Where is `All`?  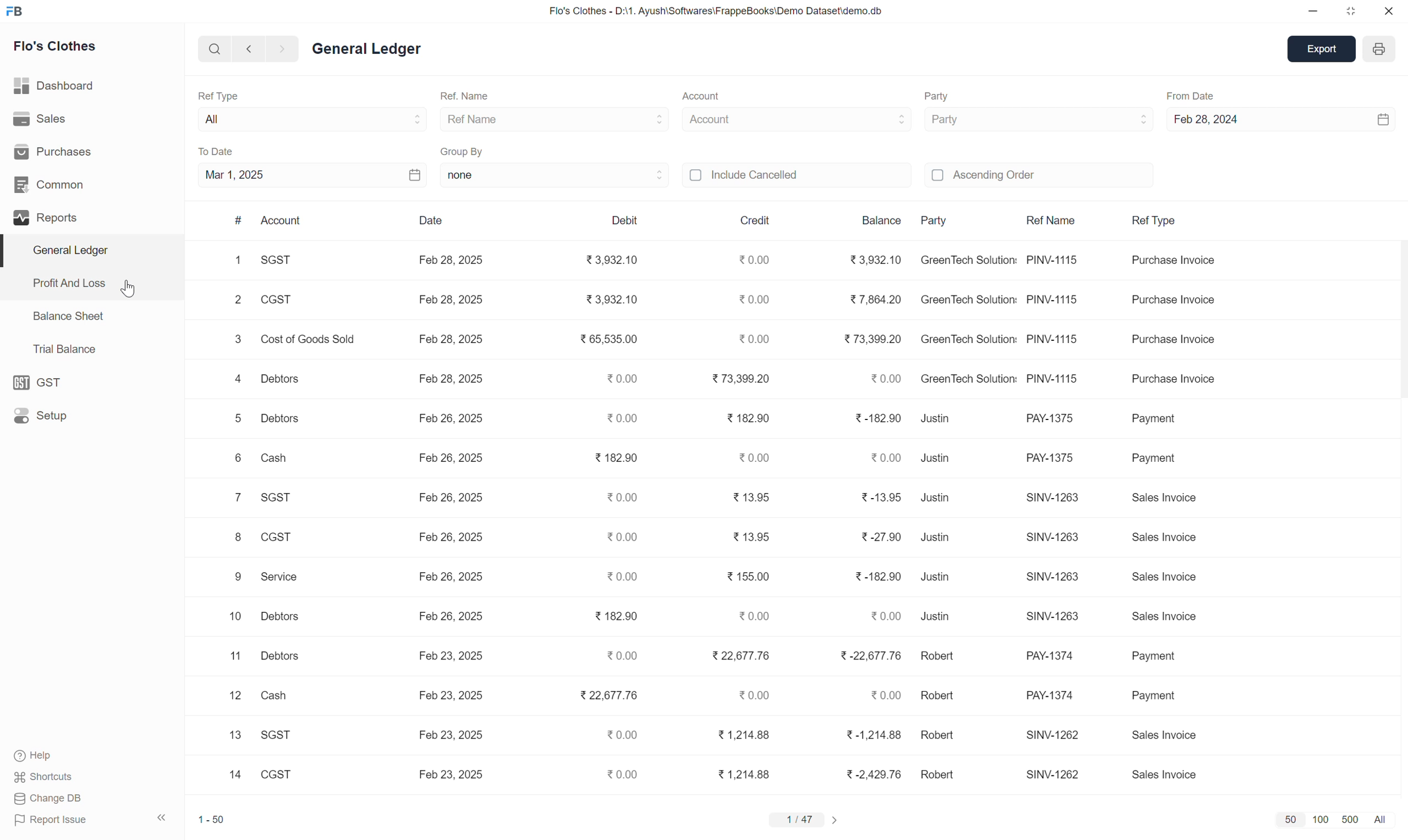 All is located at coordinates (1381, 816).